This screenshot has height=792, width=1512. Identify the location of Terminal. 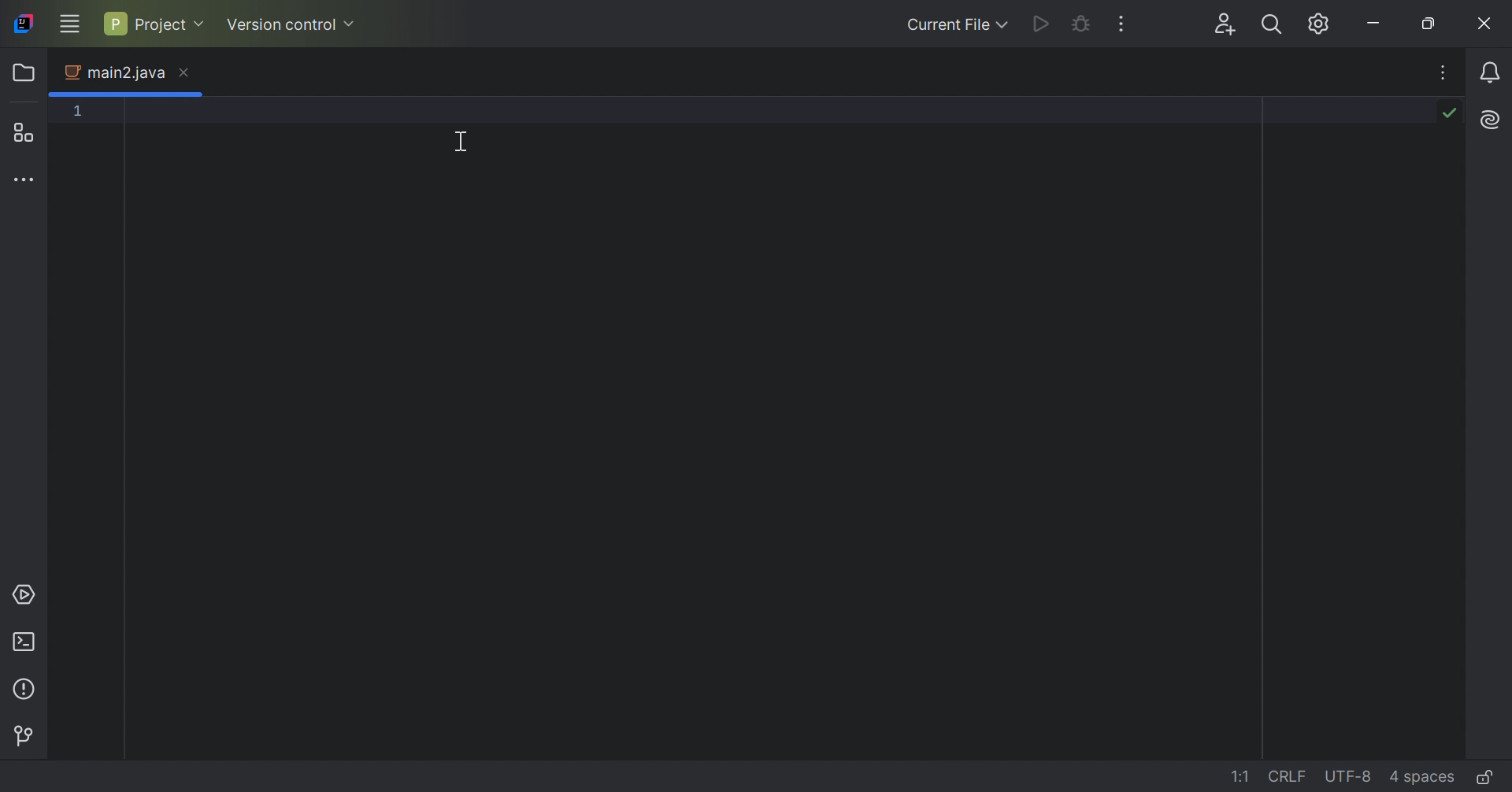
(28, 643).